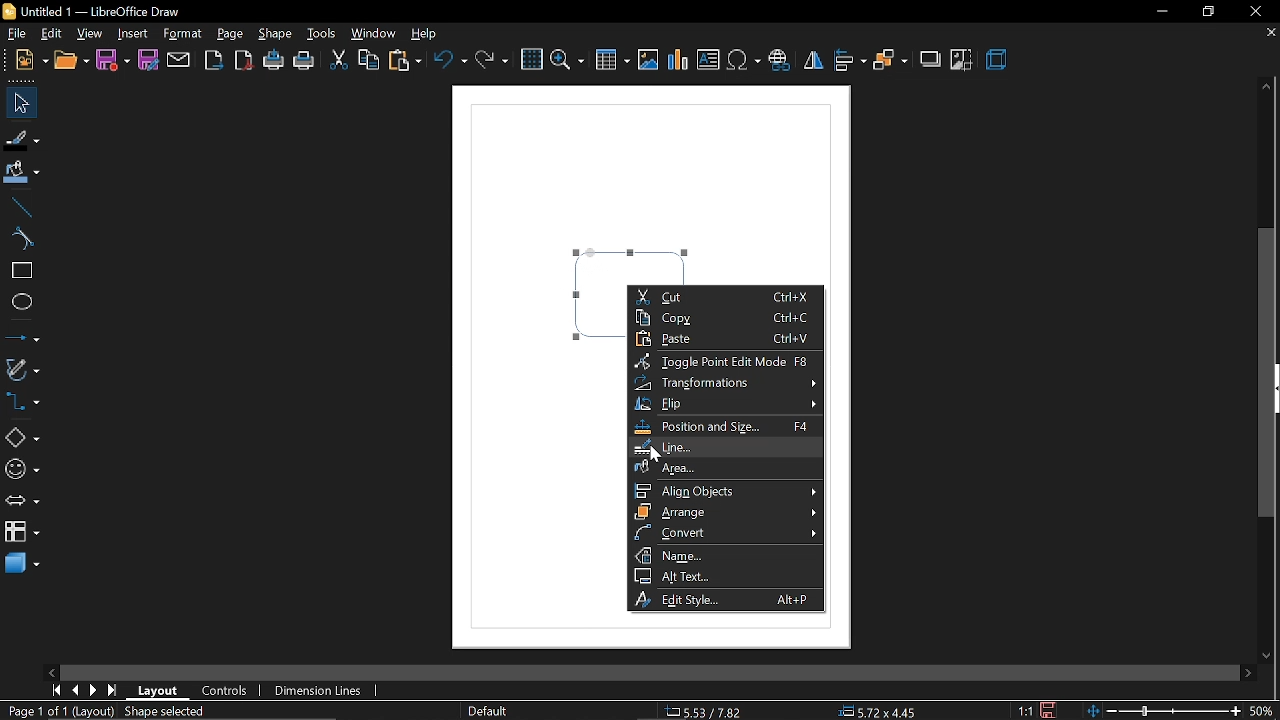  I want to click on cut , so click(338, 62).